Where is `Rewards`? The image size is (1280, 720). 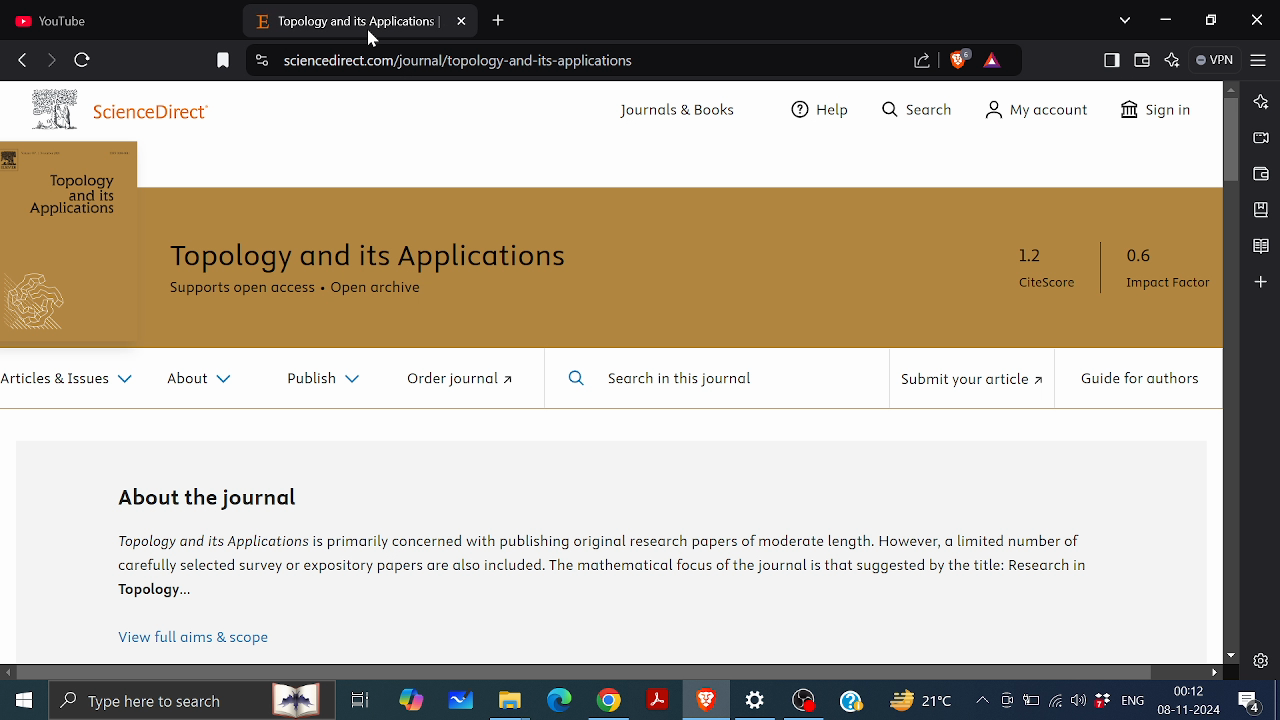
Rewards is located at coordinates (992, 60).